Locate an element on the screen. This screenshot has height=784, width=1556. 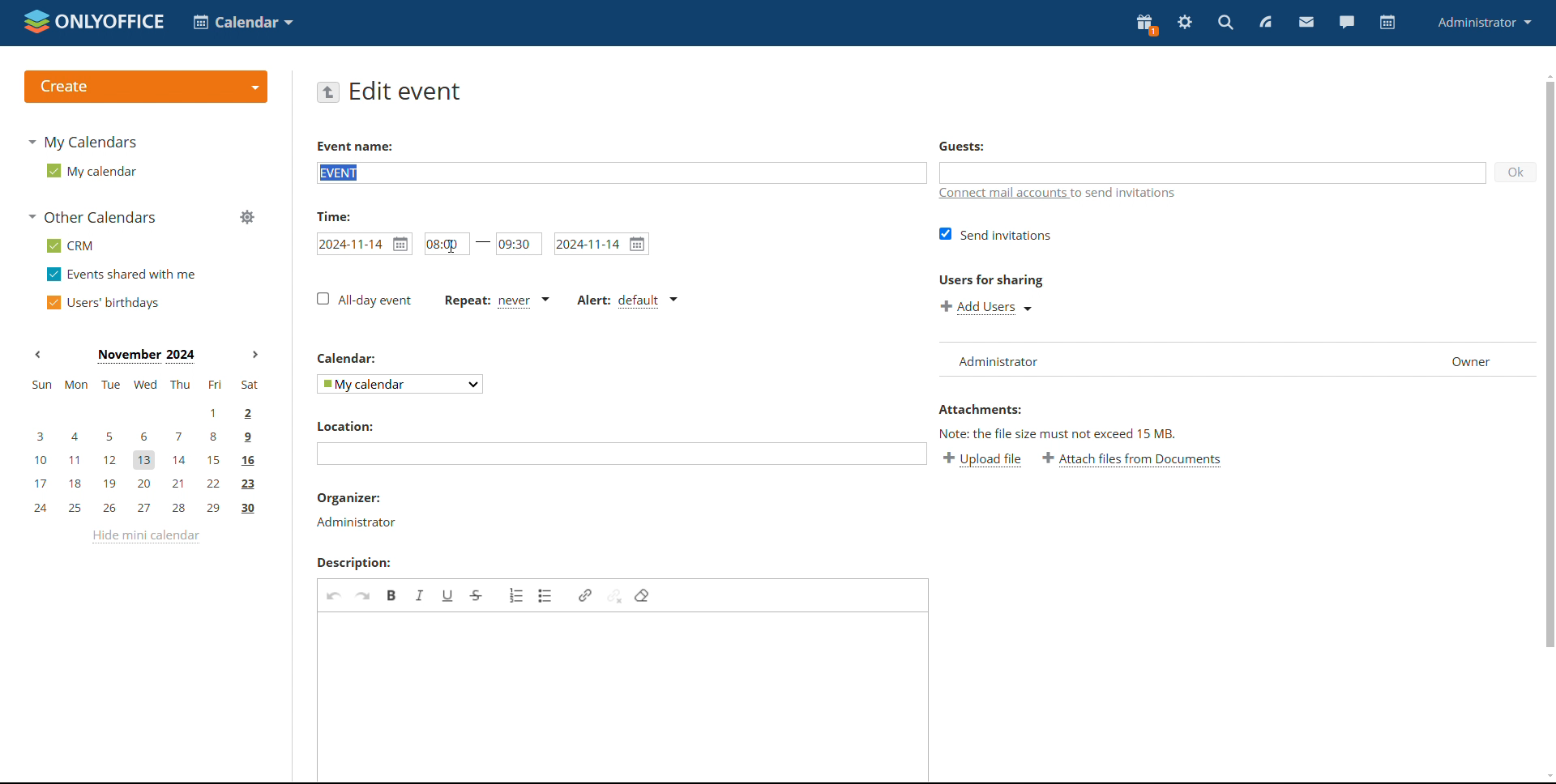
mail is located at coordinates (1306, 22).